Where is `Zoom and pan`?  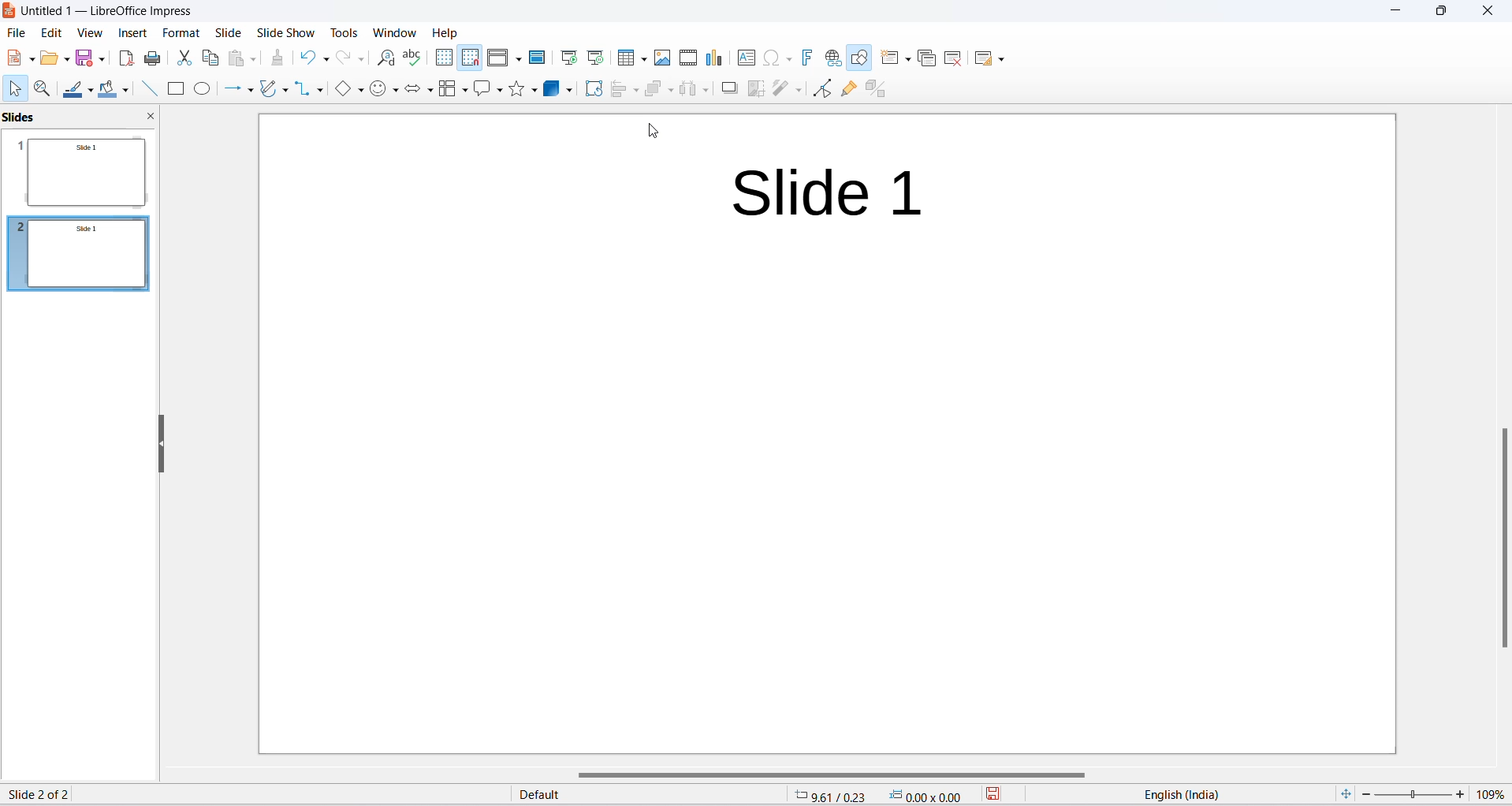
Zoom and pan is located at coordinates (43, 89).